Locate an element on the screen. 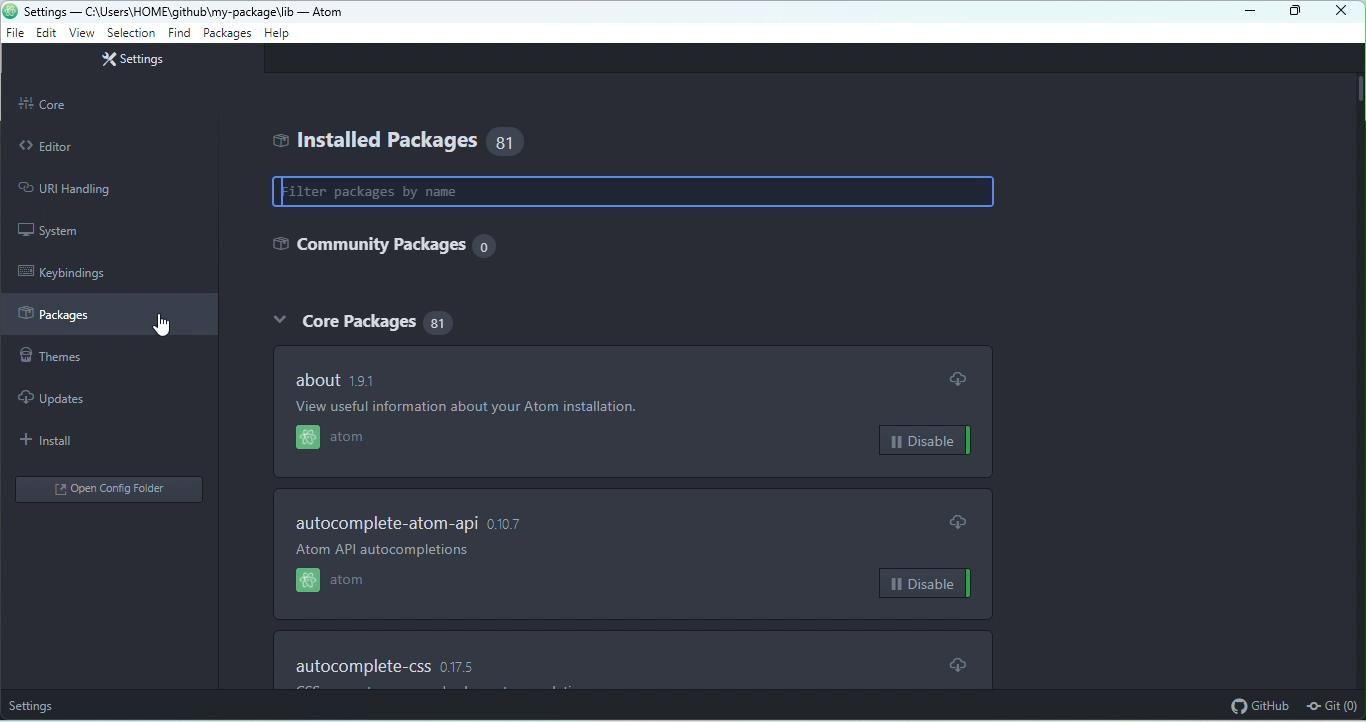 The height and width of the screenshot is (722, 1366). selection is located at coordinates (132, 33).